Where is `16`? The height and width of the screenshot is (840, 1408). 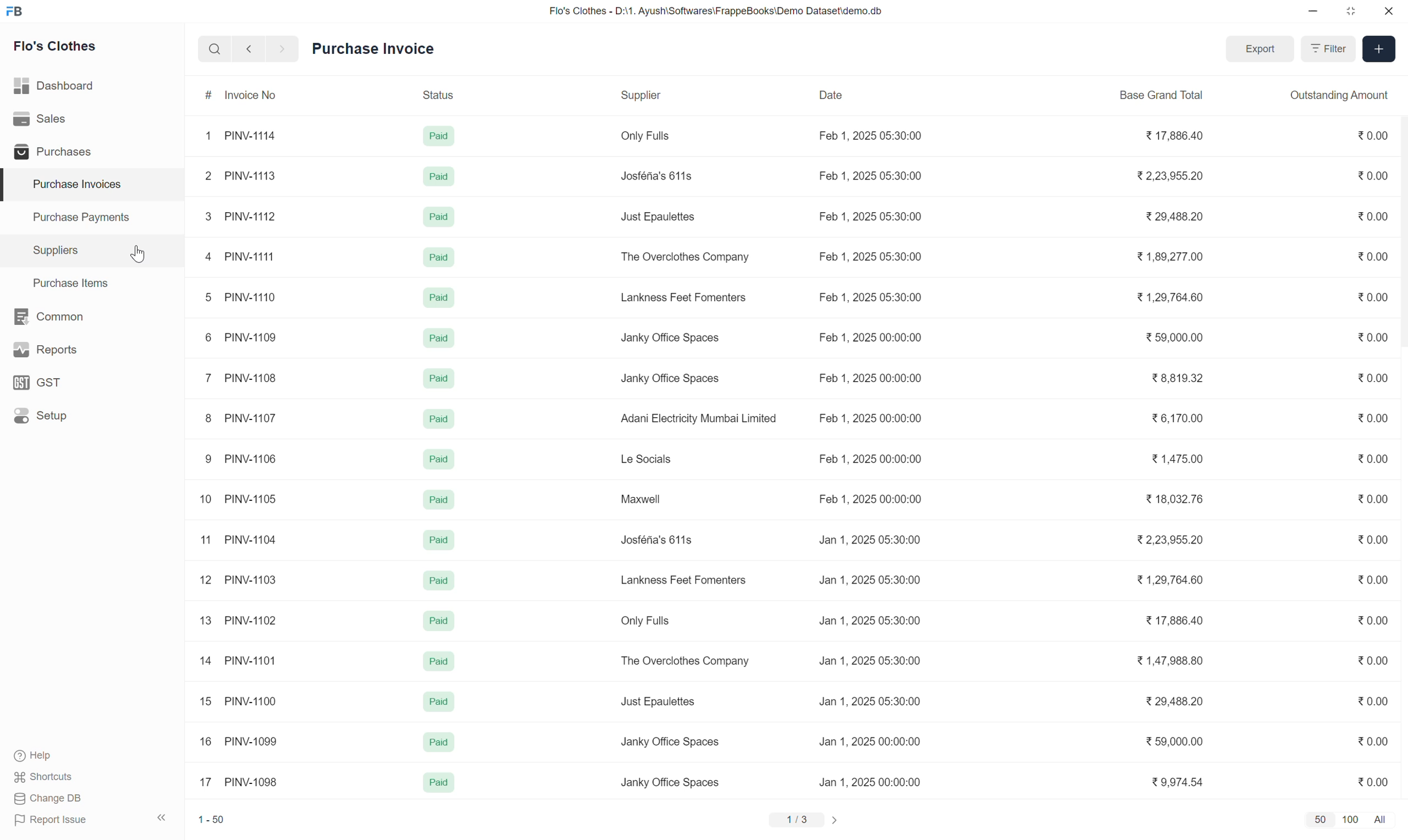
16 is located at coordinates (206, 741).